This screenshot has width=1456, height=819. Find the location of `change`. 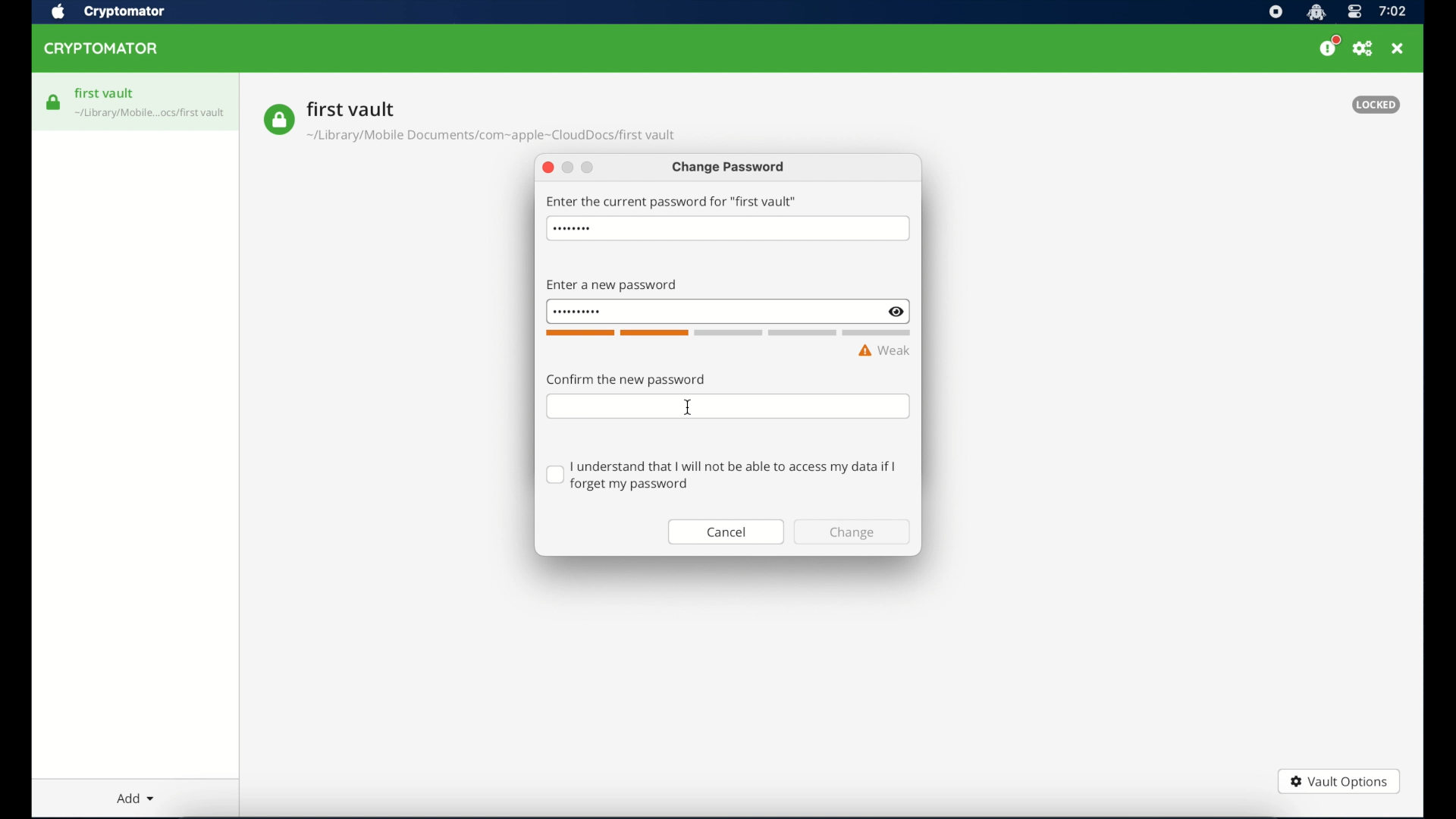

change is located at coordinates (852, 532).